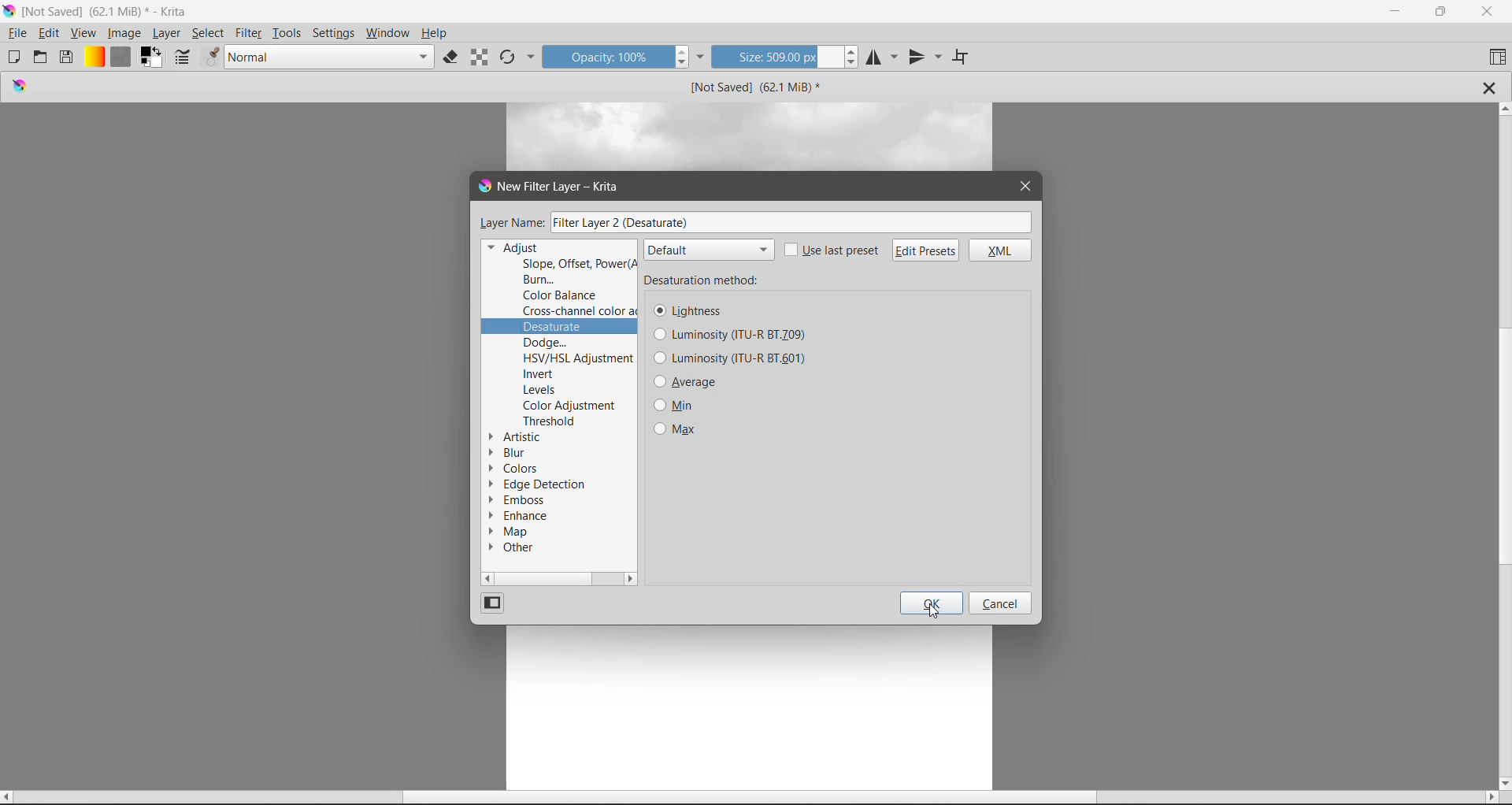  What do you see at coordinates (710, 250) in the screenshot?
I see `default` at bounding box center [710, 250].